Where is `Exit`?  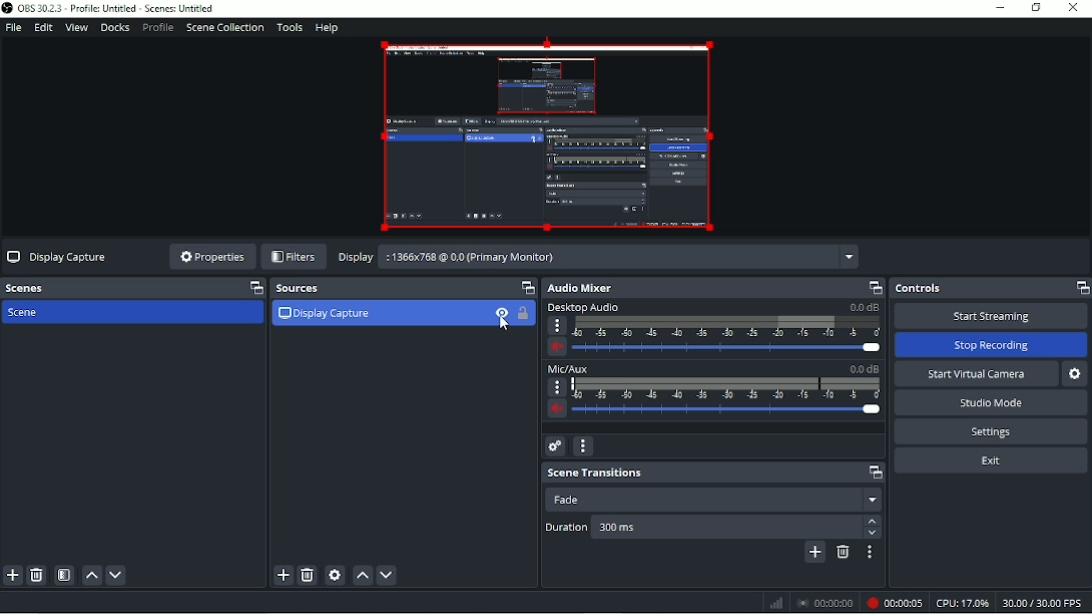 Exit is located at coordinates (991, 460).